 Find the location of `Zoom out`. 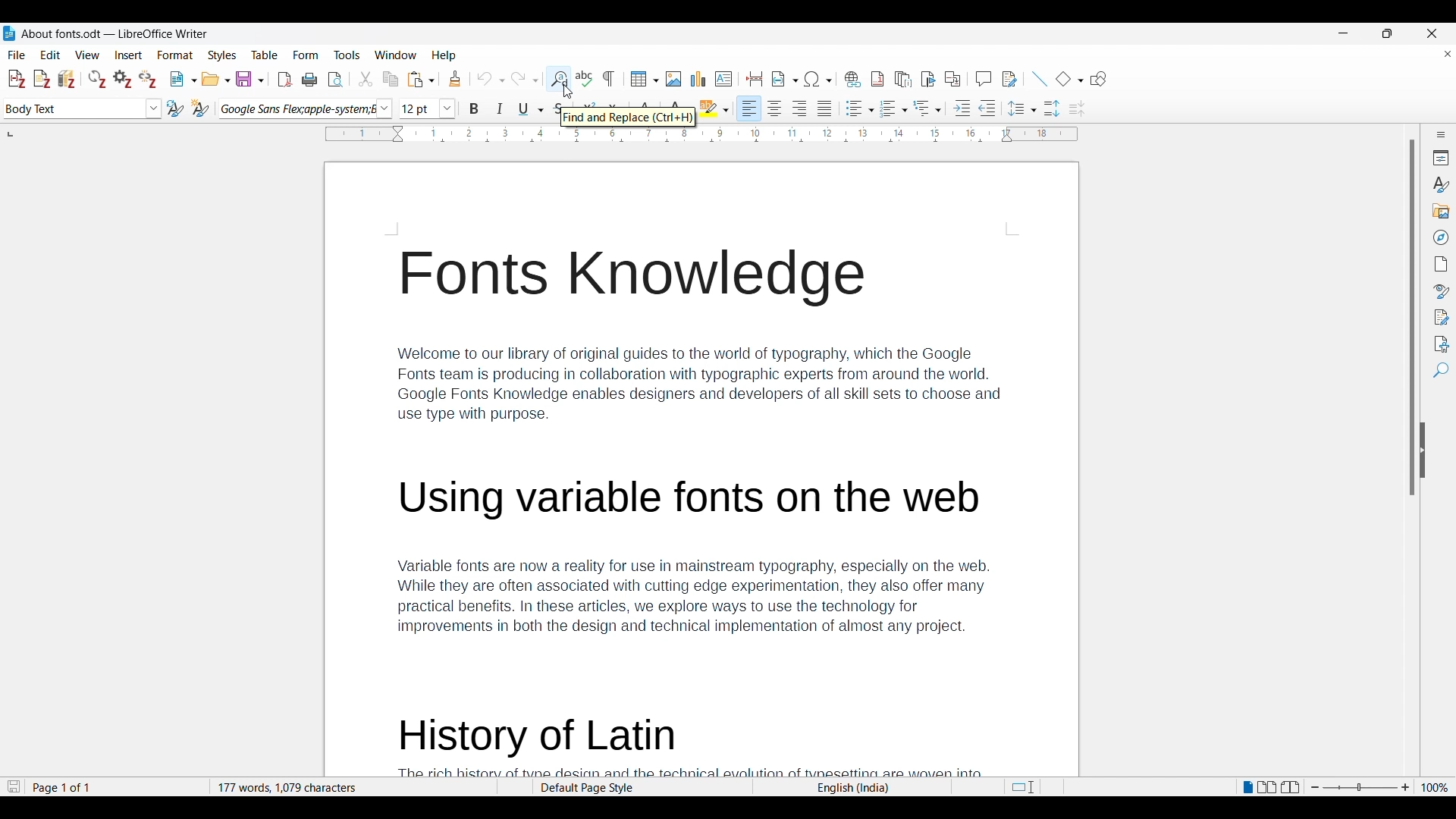

Zoom out is located at coordinates (1315, 787).